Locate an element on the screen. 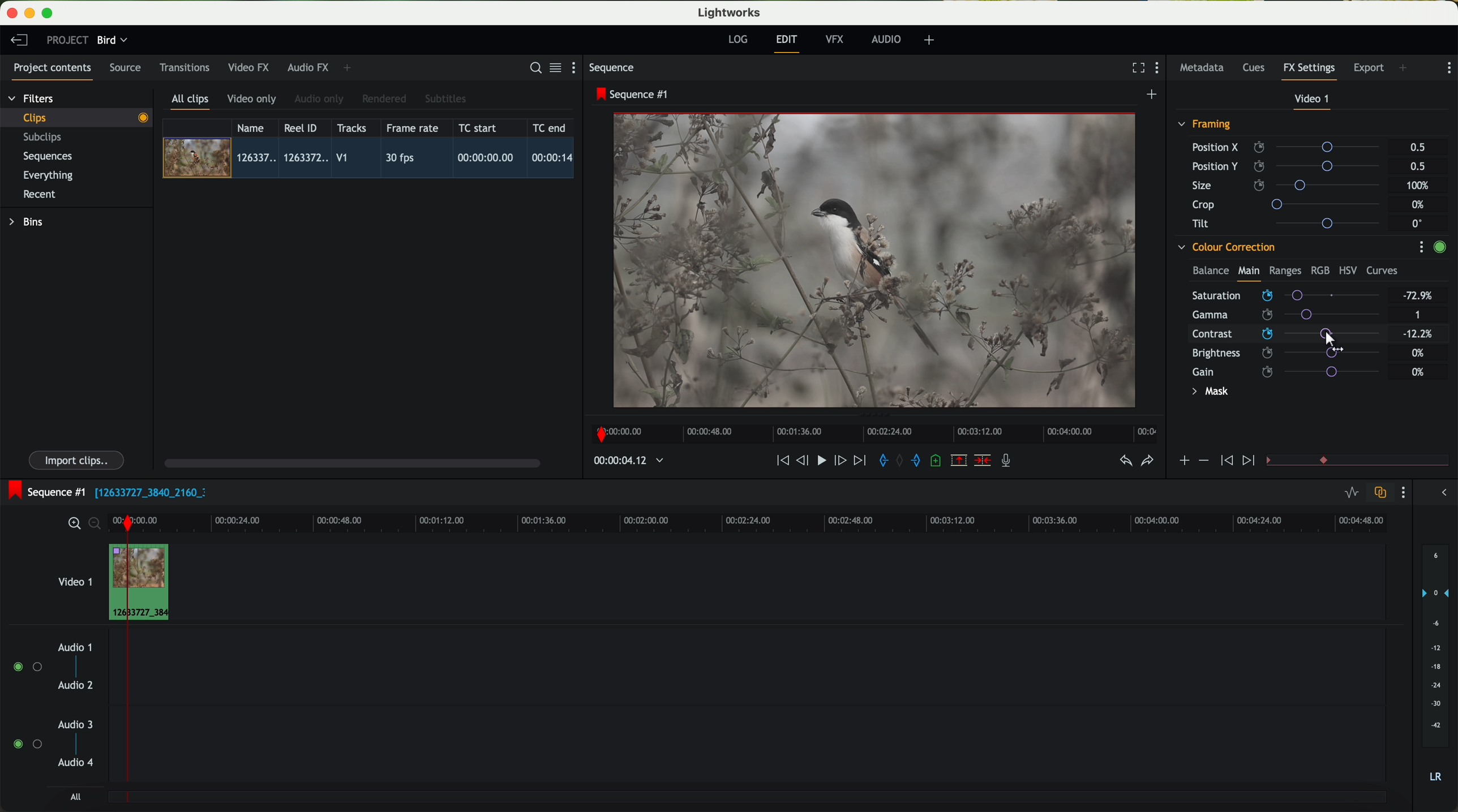 This screenshot has height=812, width=1458. 100% is located at coordinates (1421, 186).